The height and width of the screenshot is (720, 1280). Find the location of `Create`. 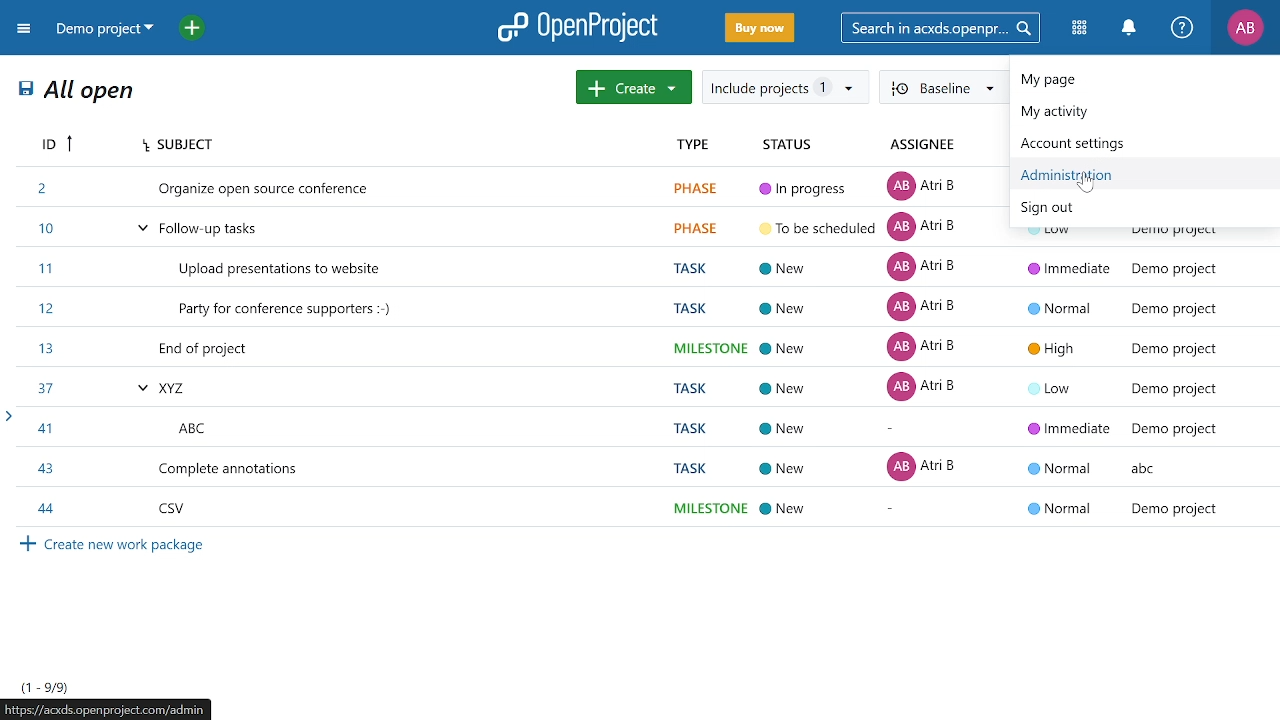

Create is located at coordinates (634, 87).